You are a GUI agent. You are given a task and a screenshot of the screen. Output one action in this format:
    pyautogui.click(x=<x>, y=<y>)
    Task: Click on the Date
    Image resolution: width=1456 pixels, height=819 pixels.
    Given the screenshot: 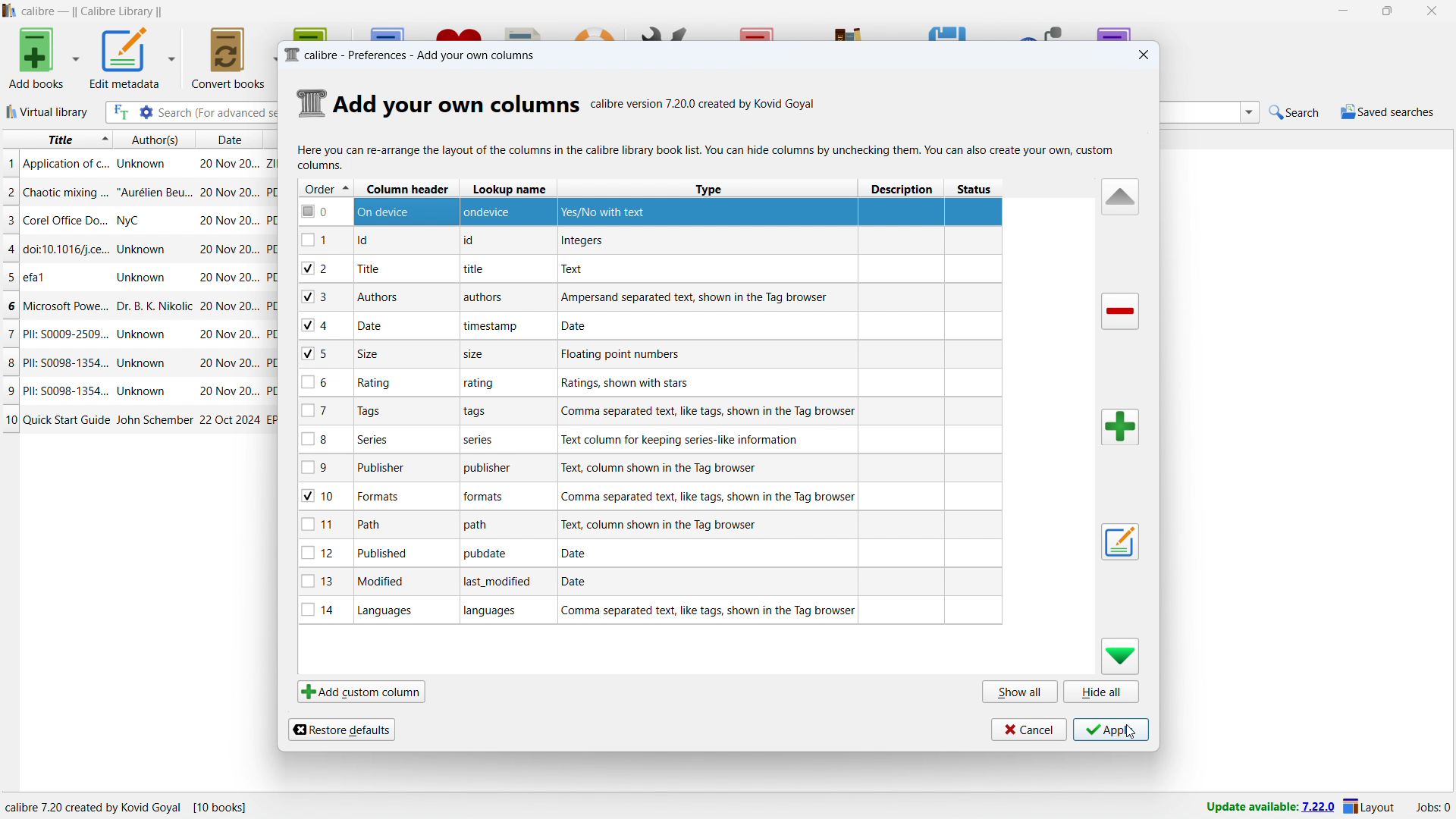 What is the action you would take?
    pyautogui.click(x=579, y=582)
    